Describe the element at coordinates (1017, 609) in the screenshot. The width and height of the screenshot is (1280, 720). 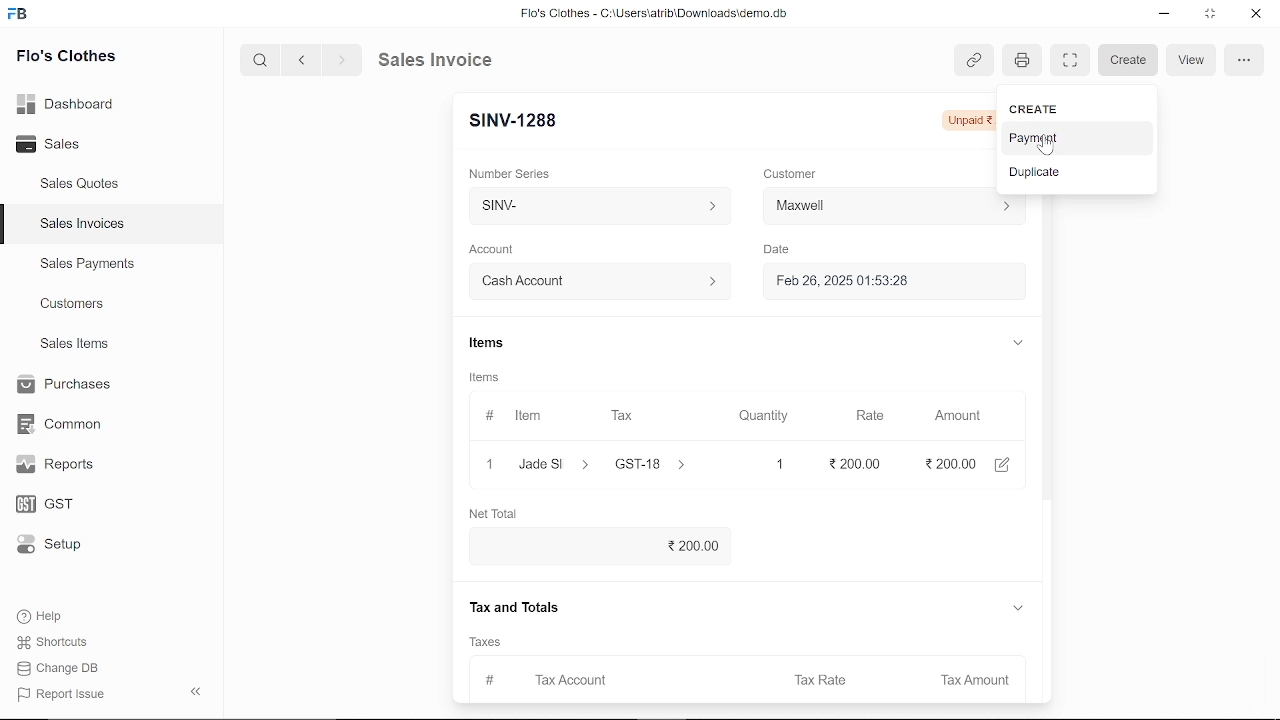
I see `expand` at that location.